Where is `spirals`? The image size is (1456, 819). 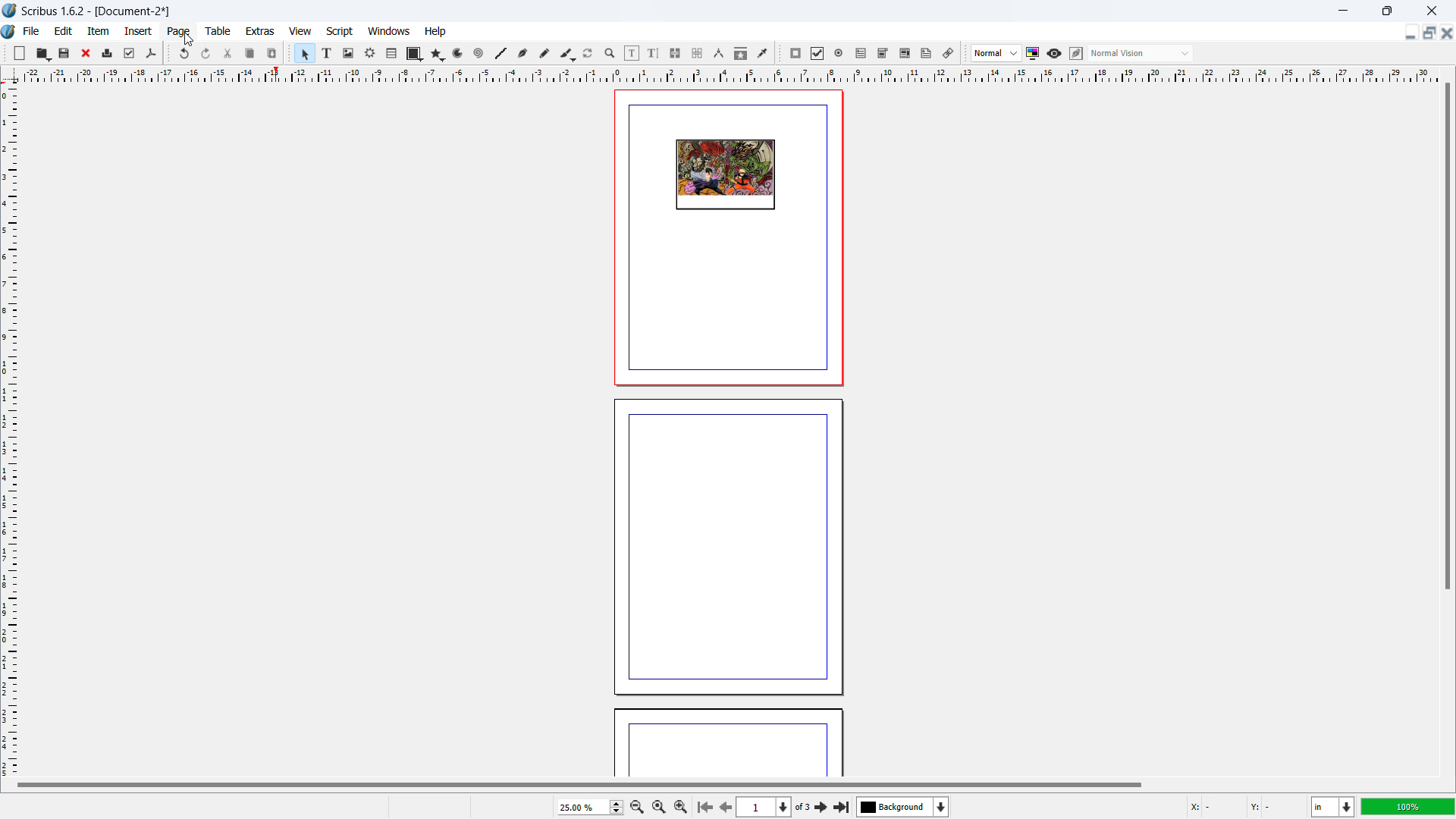 spirals is located at coordinates (479, 54).